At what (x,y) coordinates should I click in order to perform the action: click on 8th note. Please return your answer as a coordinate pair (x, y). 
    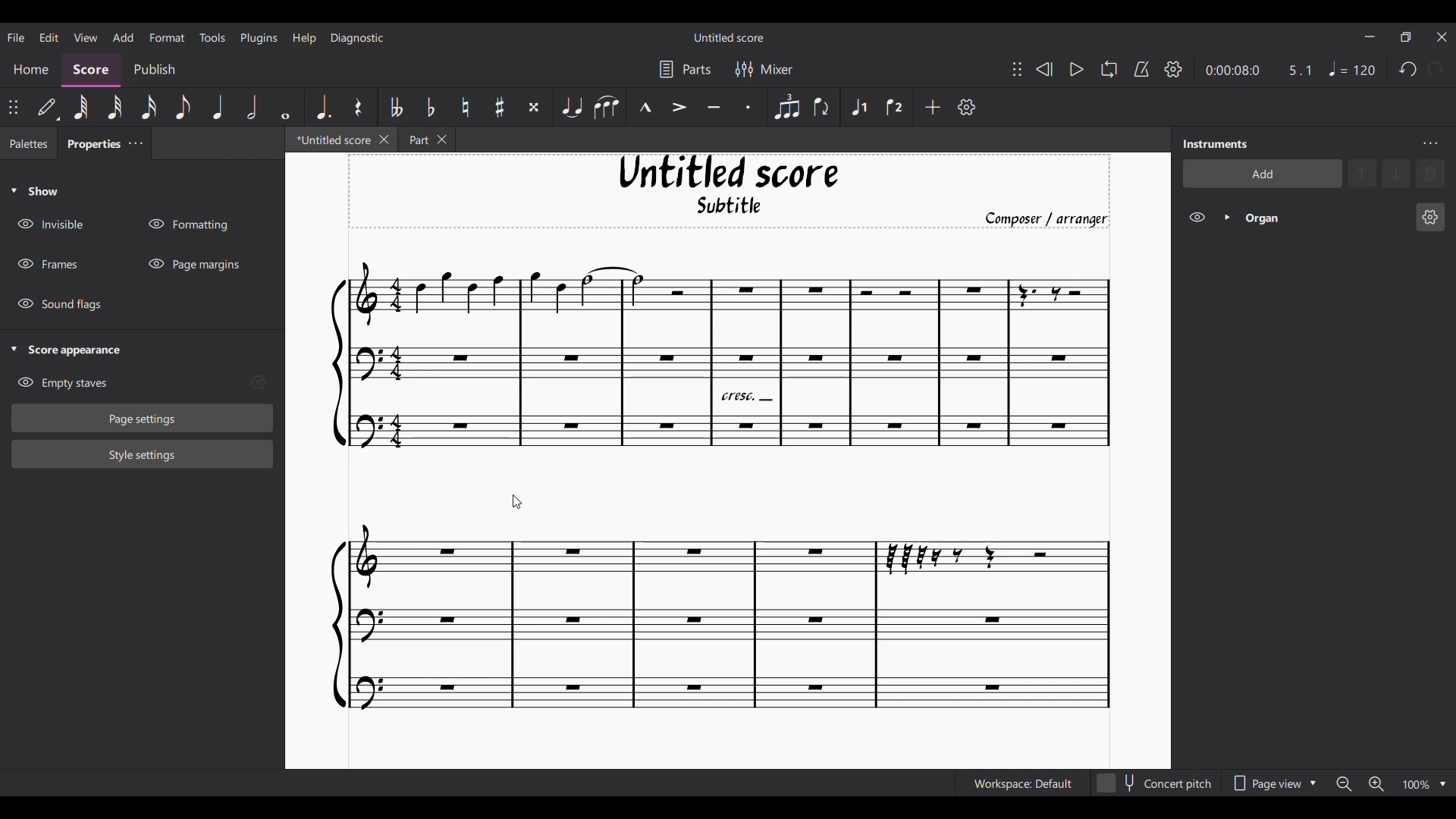
    Looking at the image, I should click on (181, 108).